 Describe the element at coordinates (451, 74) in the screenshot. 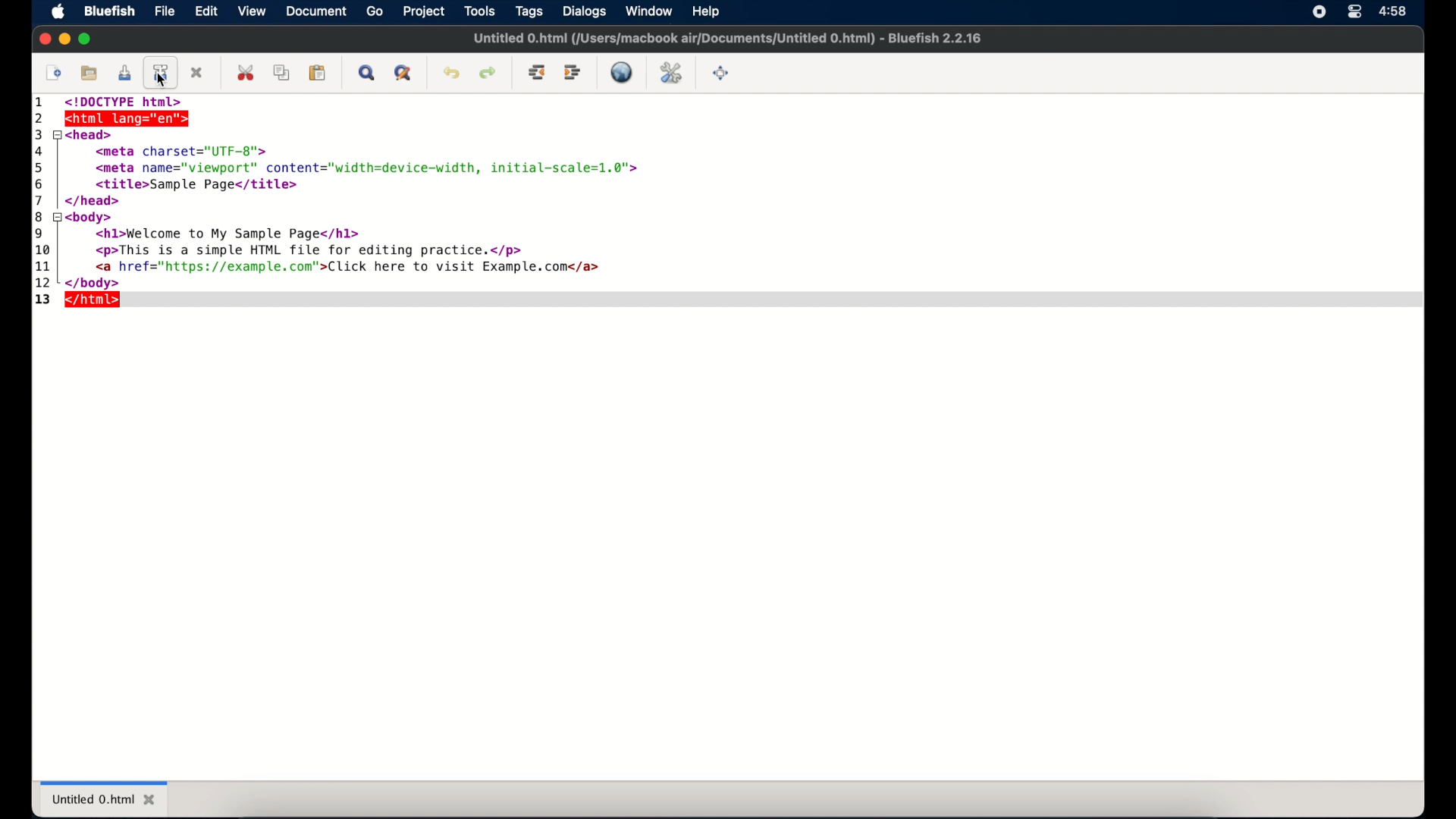

I see `undo` at that location.